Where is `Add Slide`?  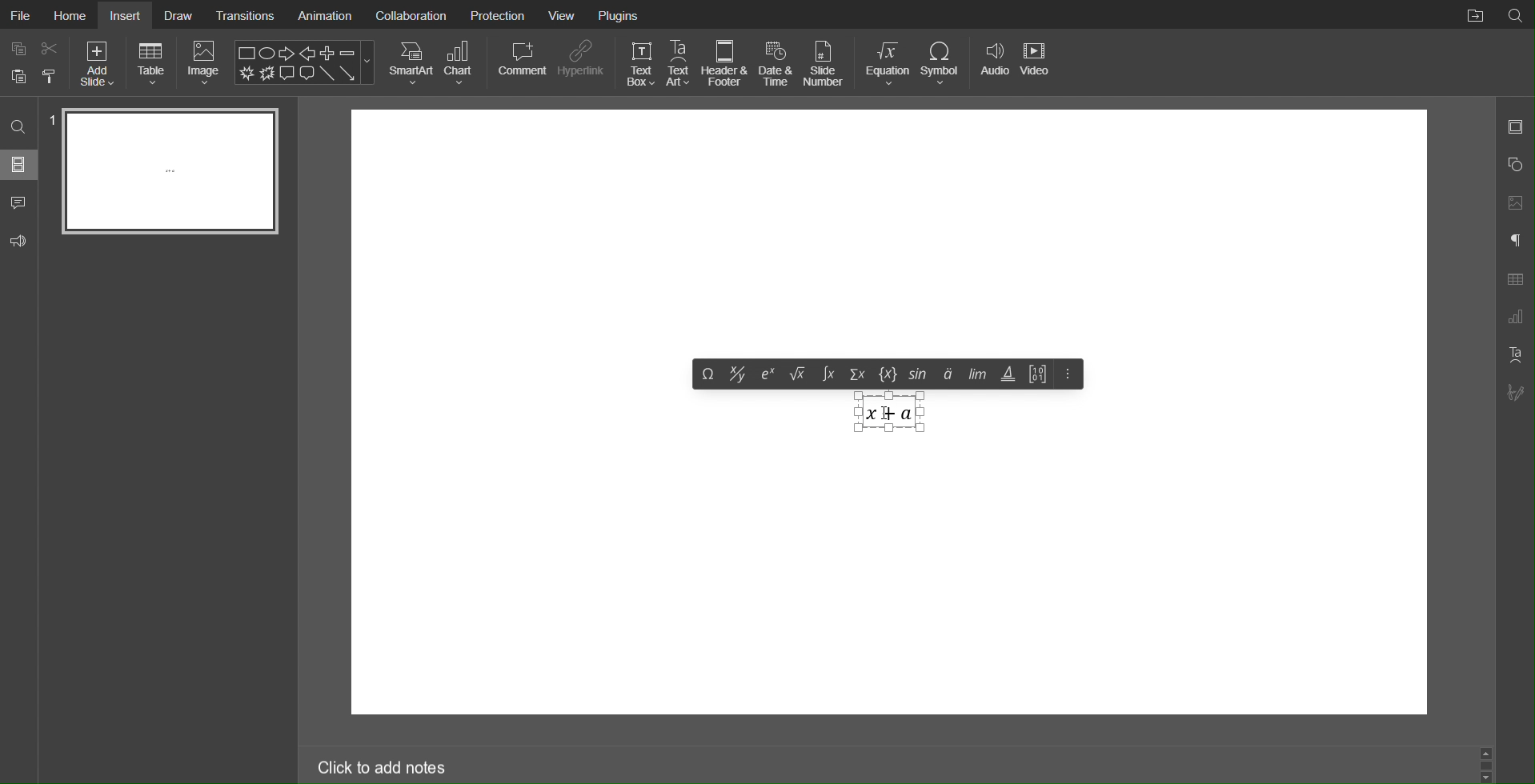 Add Slide is located at coordinates (98, 65).